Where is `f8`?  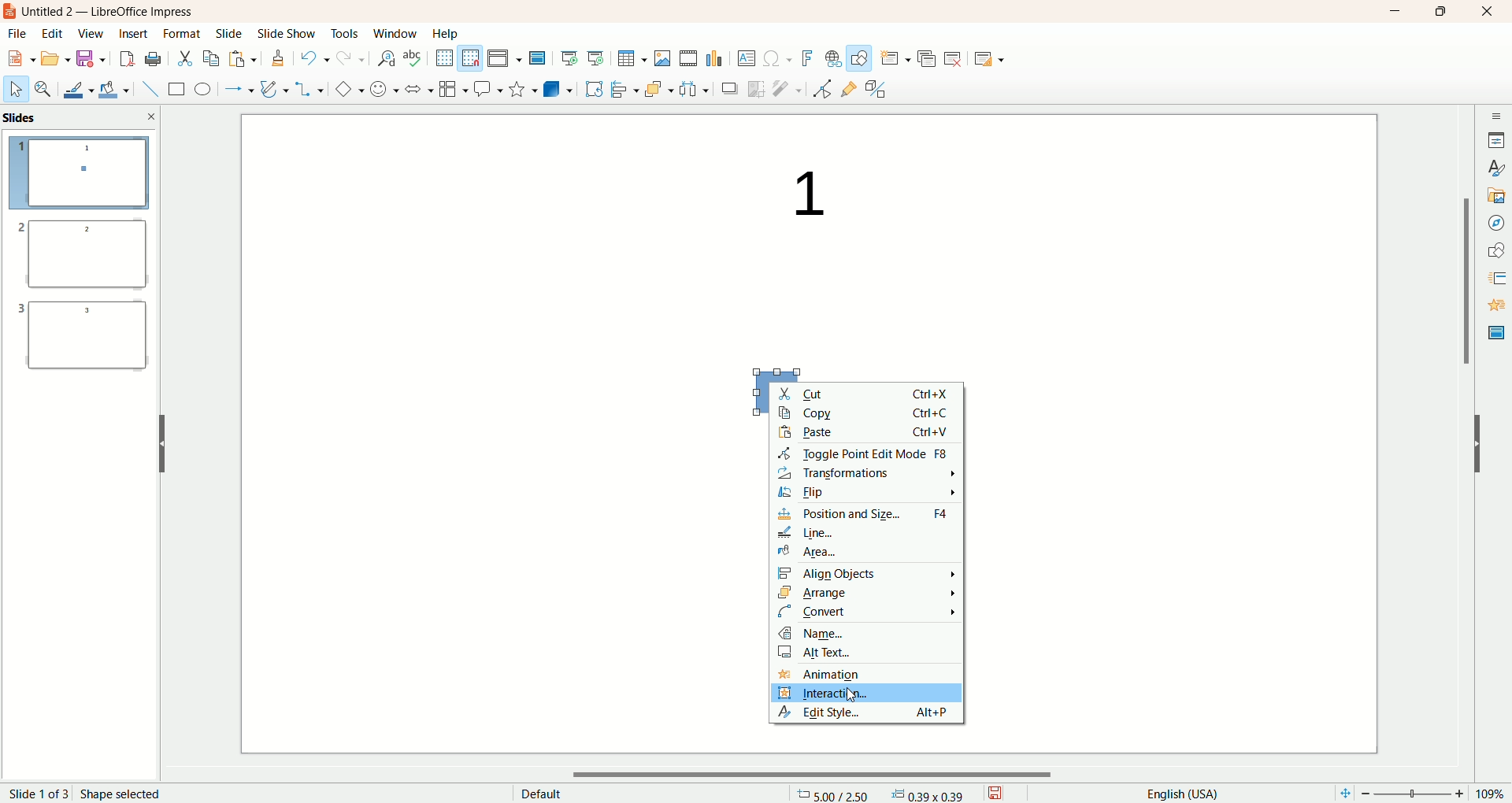 f8 is located at coordinates (951, 452).